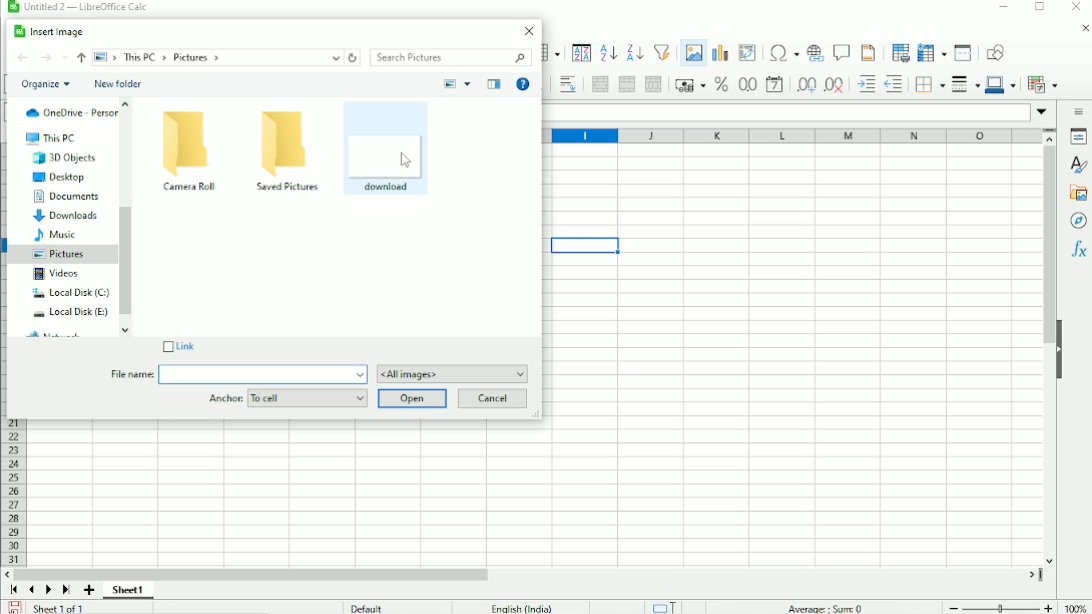 This screenshot has height=614, width=1092. Describe the element at coordinates (407, 163) in the screenshot. I see `cursor` at that location.